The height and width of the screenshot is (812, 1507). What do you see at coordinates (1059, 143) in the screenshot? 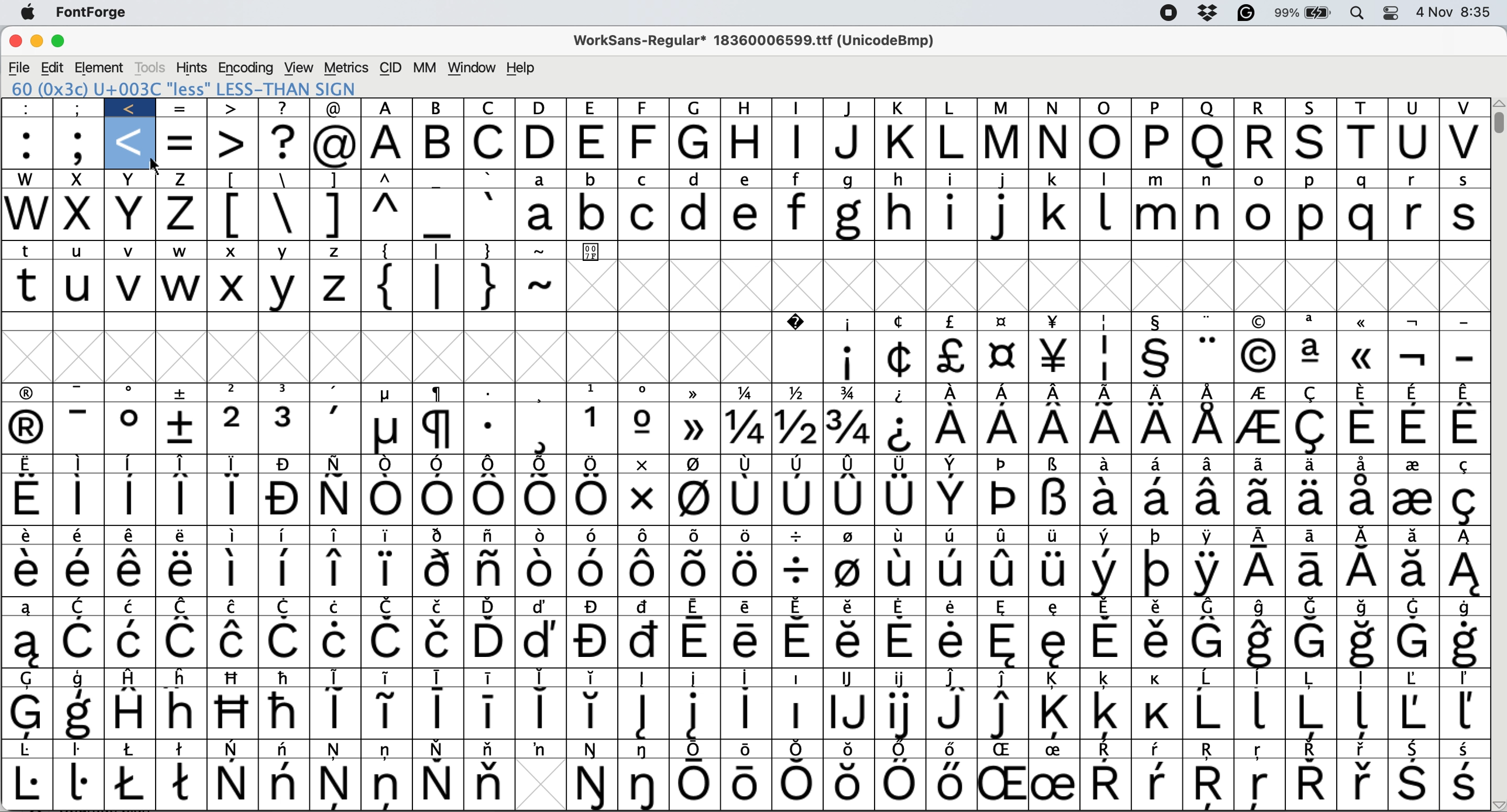
I see `N` at bounding box center [1059, 143].